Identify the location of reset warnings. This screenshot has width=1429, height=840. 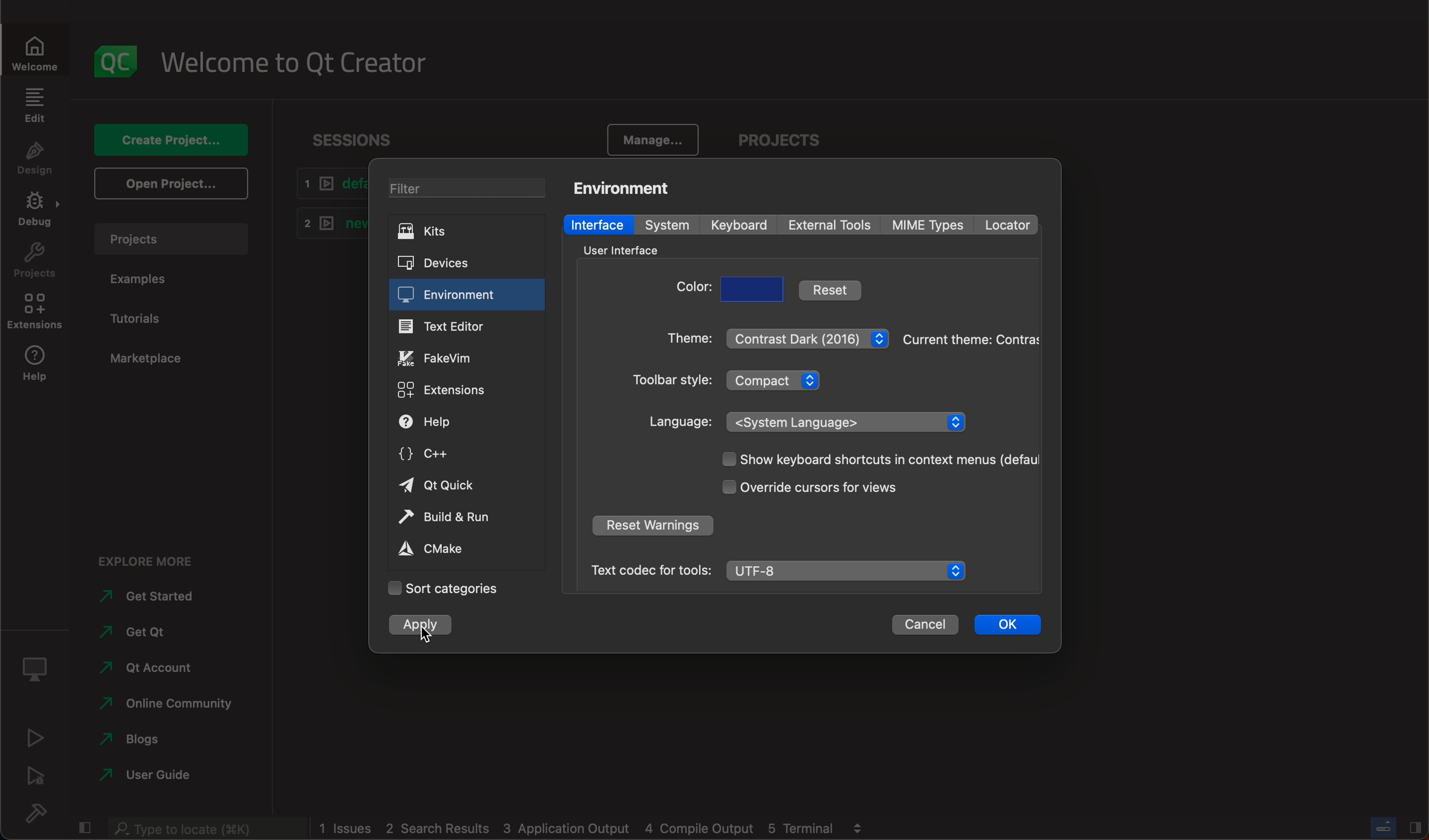
(652, 527).